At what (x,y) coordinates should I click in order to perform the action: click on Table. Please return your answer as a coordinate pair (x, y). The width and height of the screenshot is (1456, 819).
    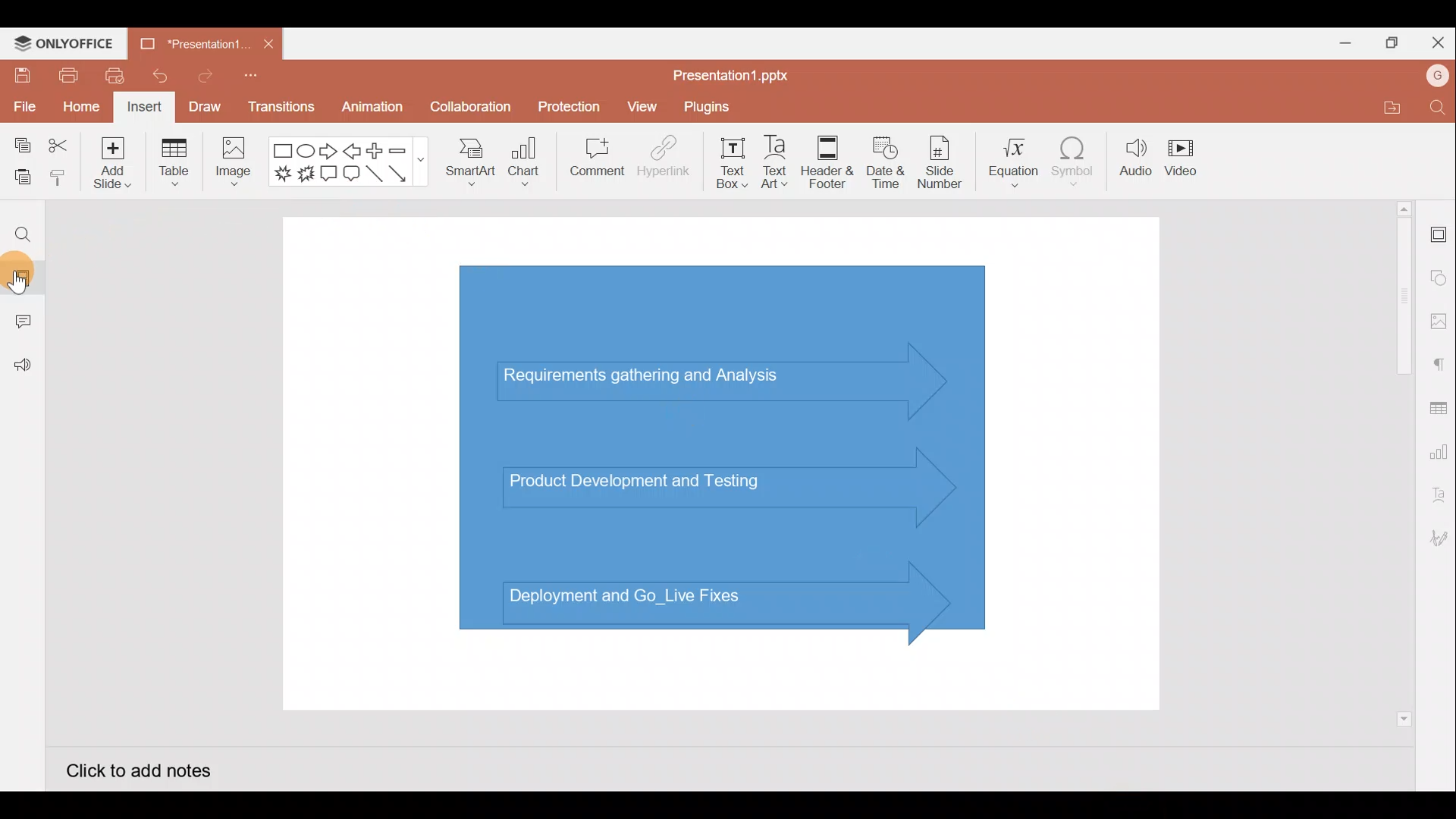
    Looking at the image, I should click on (174, 165).